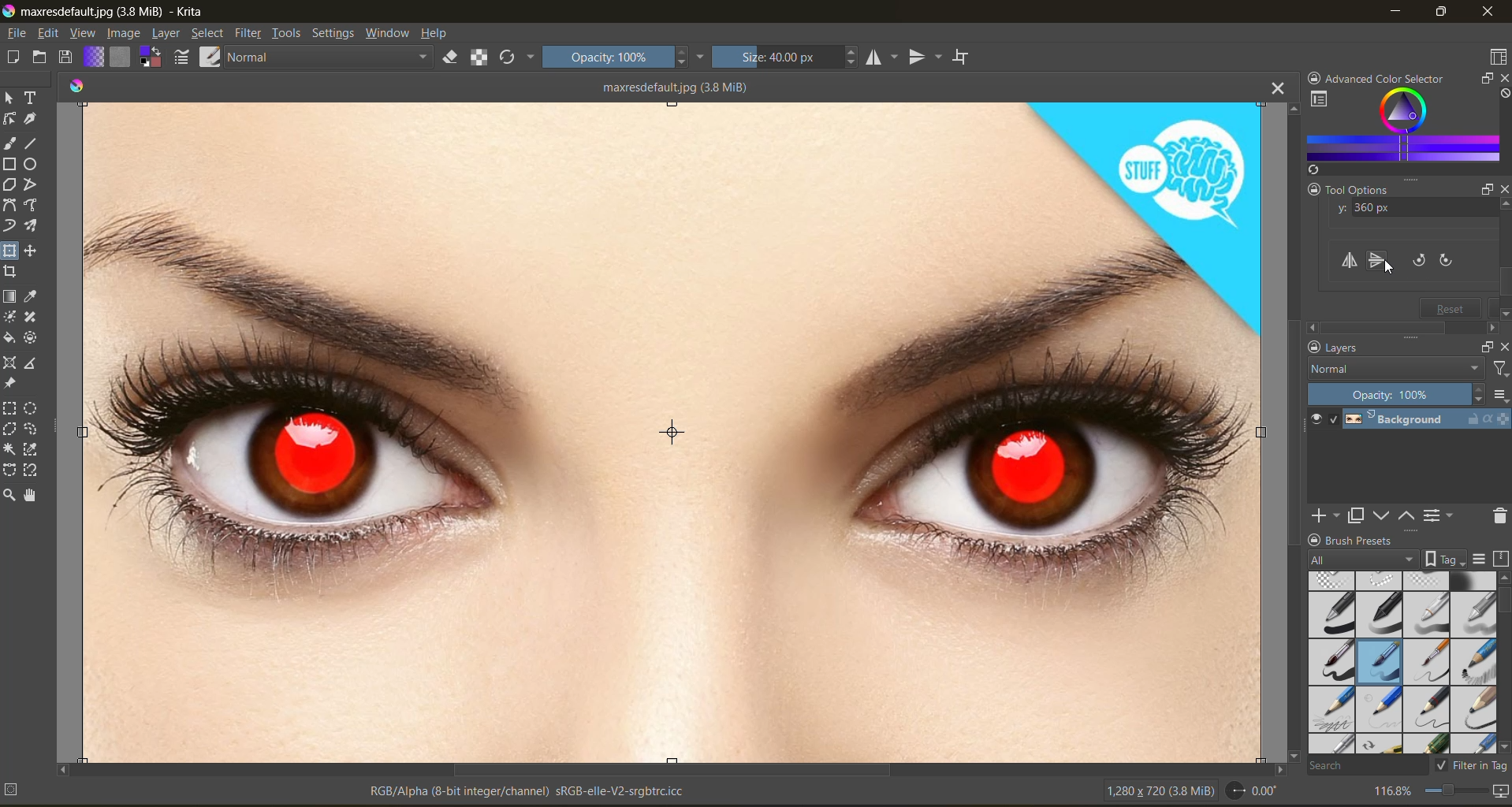 The width and height of the screenshot is (1512, 807). What do you see at coordinates (1499, 395) in the screenshot?
I see `options` at bounding box center [1499, 395].